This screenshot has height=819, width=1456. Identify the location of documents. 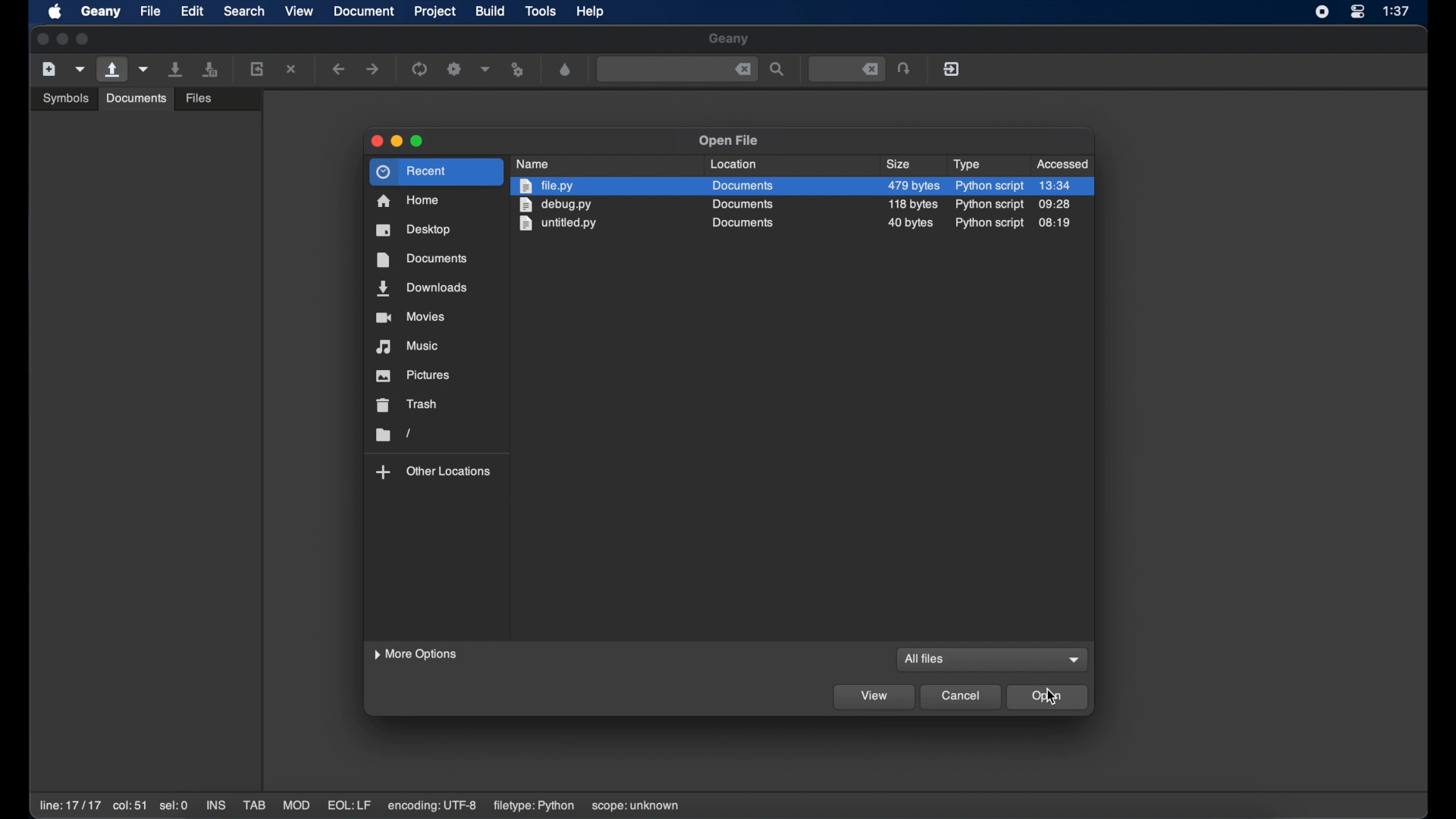
(741, 223).